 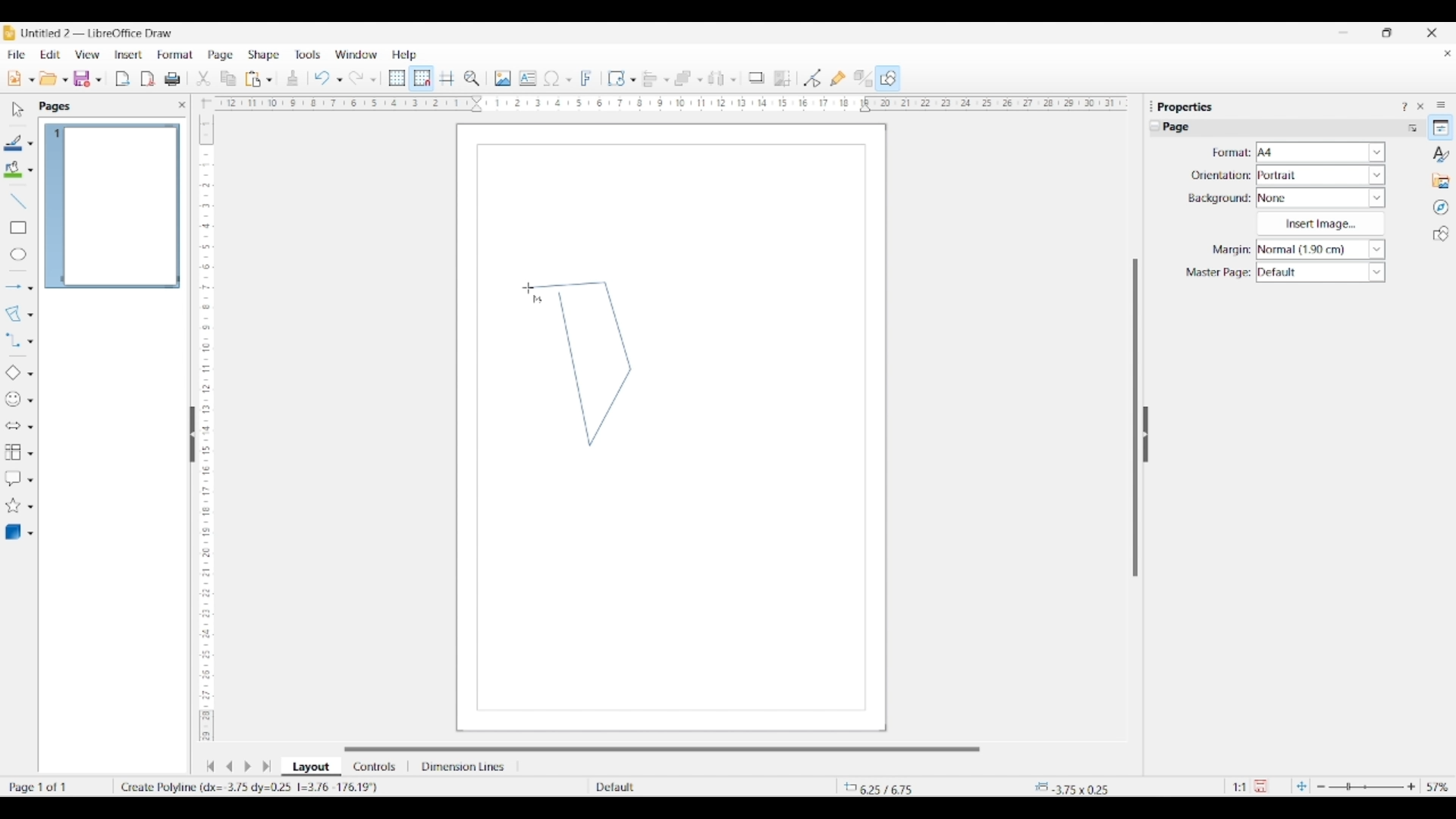 What do you see at coordinates (86, 55) in the screenshot?
I see `View options` at bounding box center [86, 55].